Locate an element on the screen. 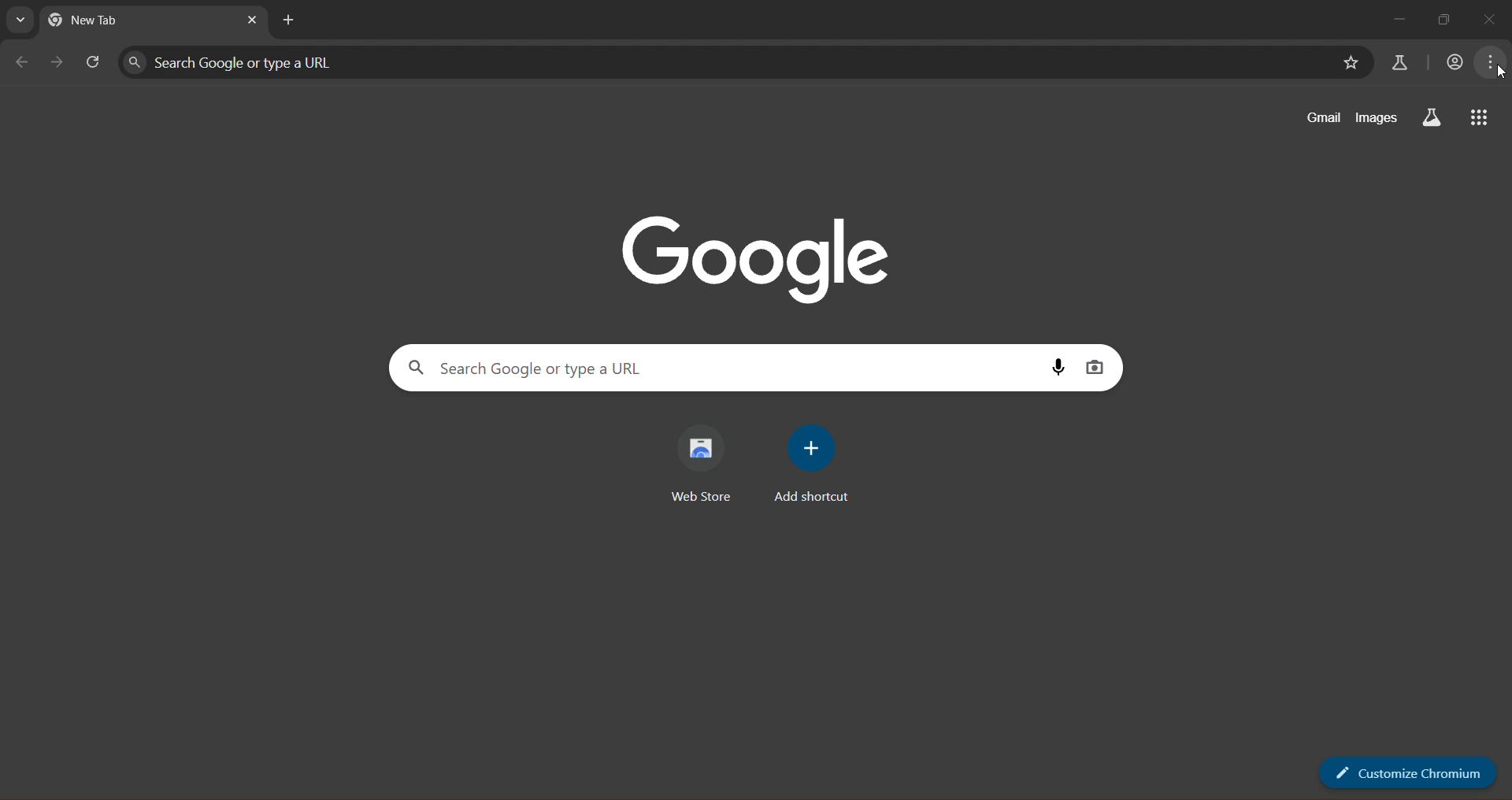 The image size is (1512, 800). add shortcut is located at coordinates (817, 467).